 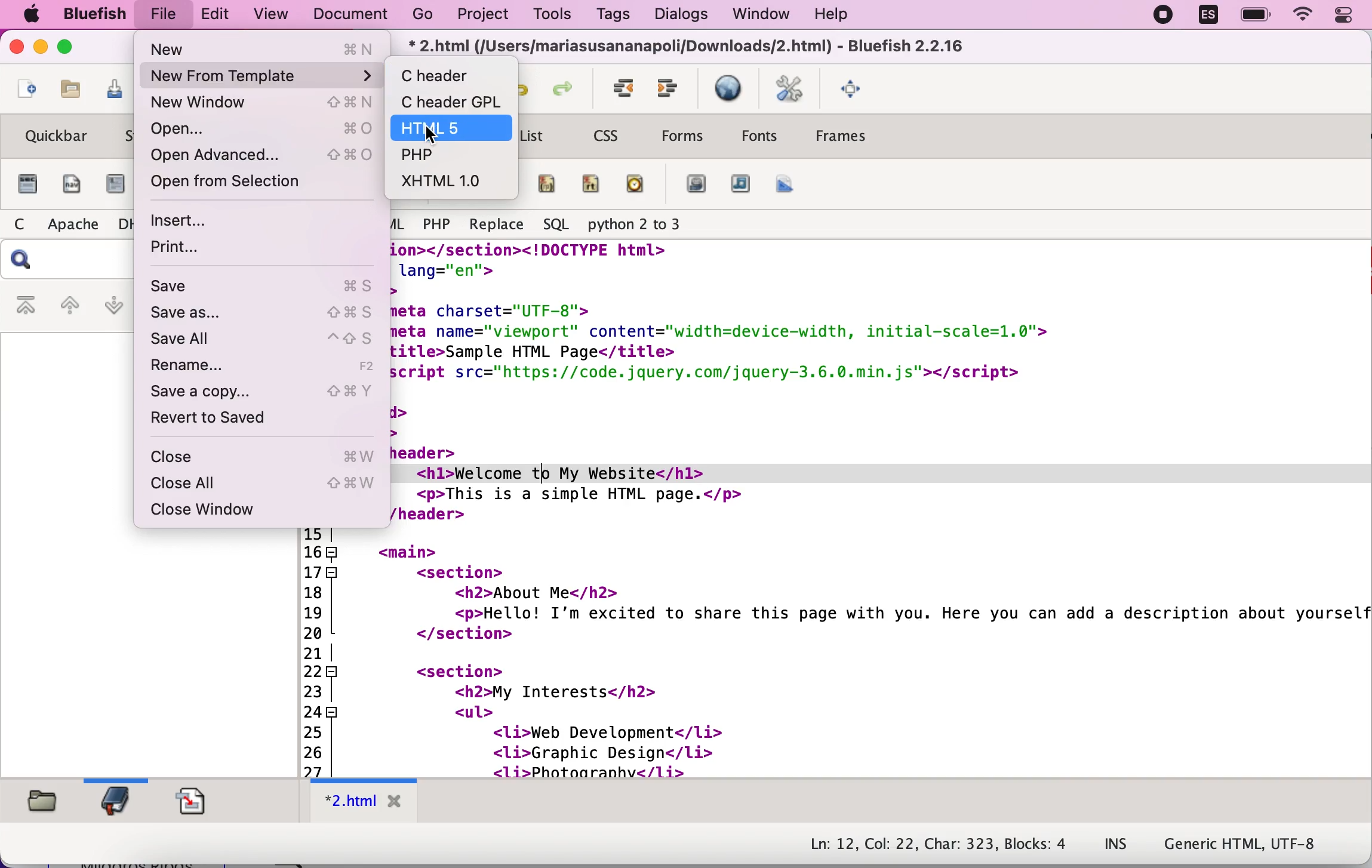 I want to click on tags, so click(x=612, y=14).